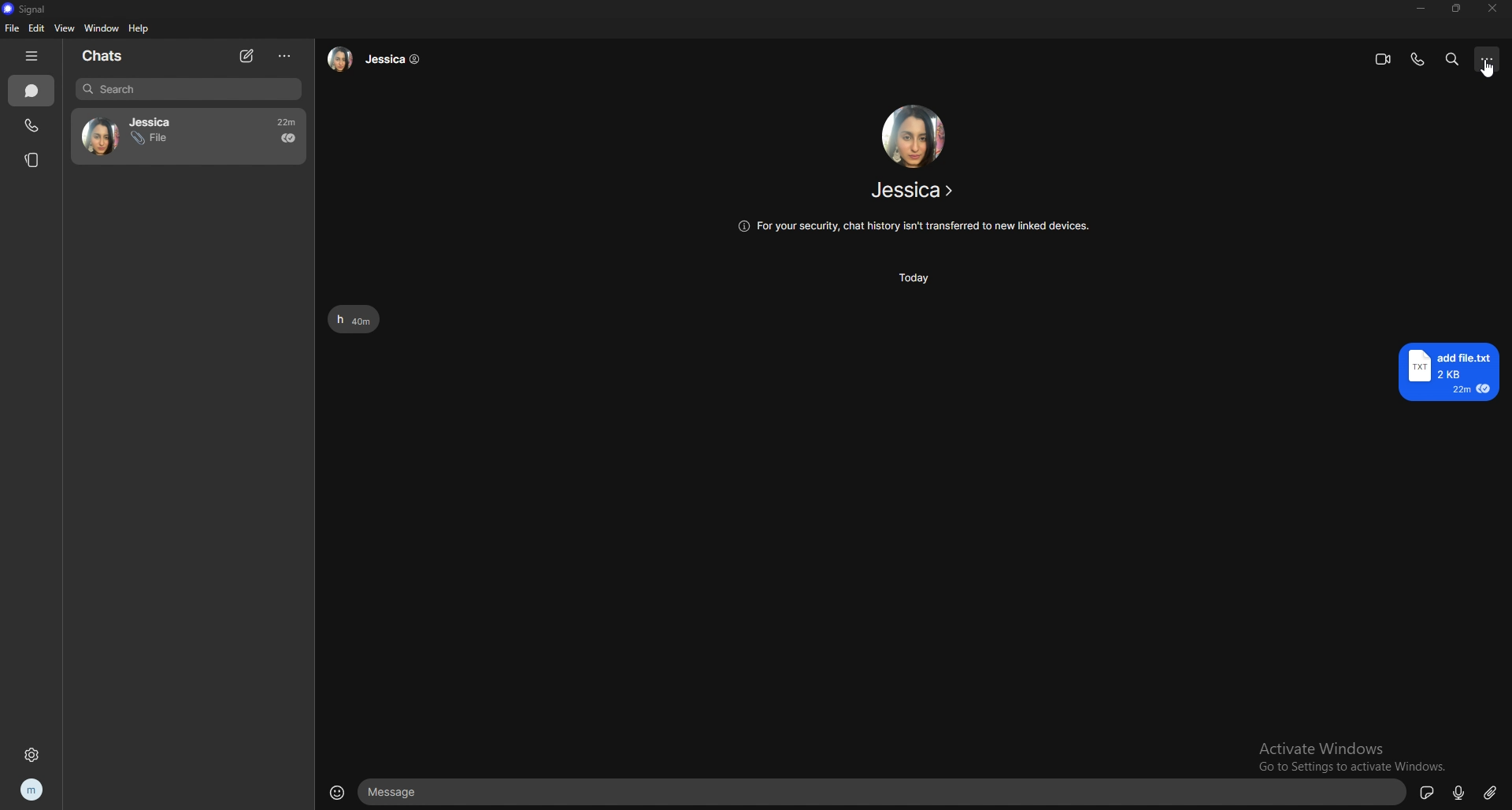 The height and width of the screenshot is (810, 1512). What do you see at coordinates (1417, 60) in the screenshot?
I see `voice call` at bounding box center [1417, 60].